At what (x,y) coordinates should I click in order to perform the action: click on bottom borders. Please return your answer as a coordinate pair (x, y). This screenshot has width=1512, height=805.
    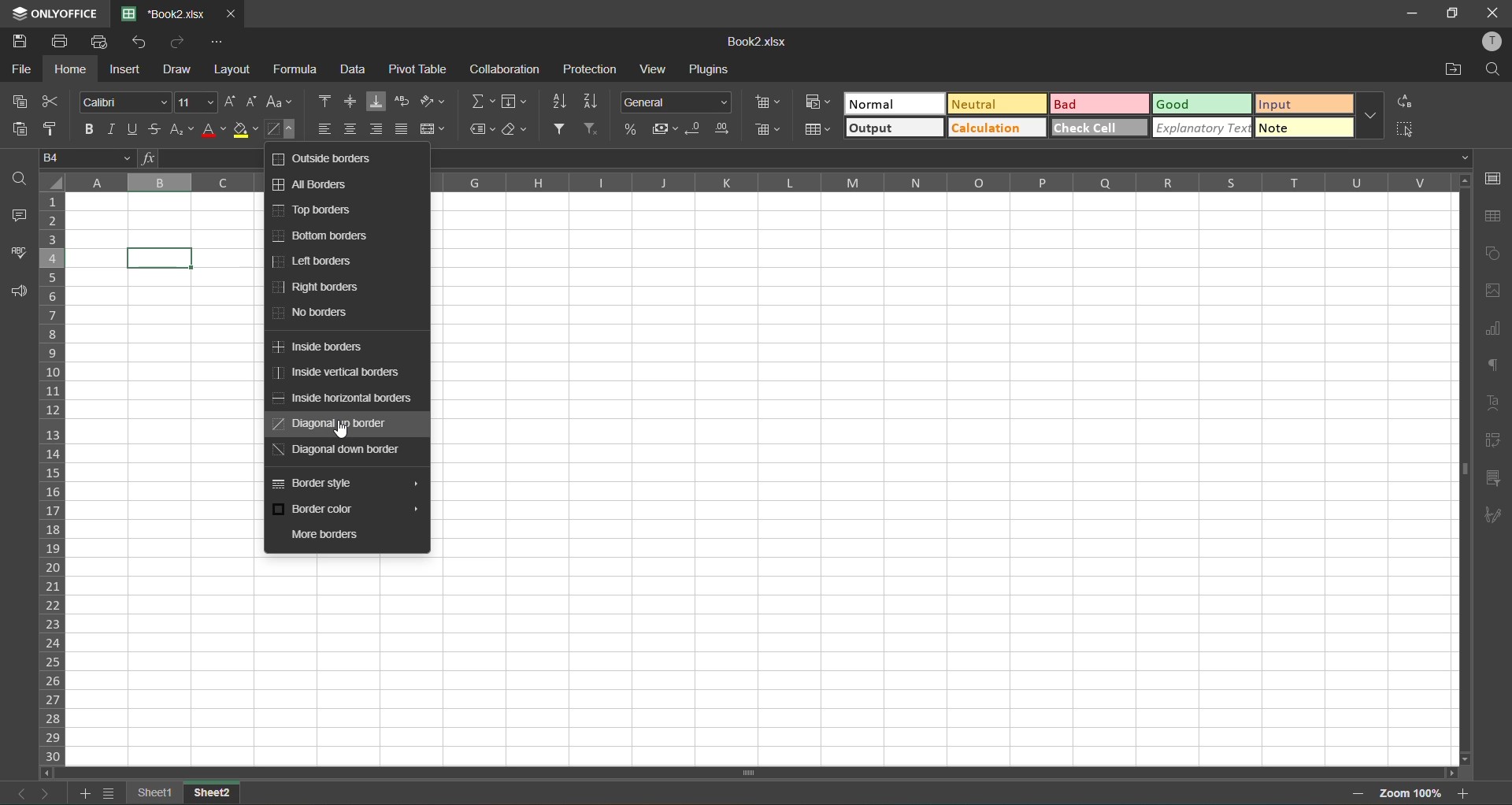
    Looking at the image, I should click on (324, 236).